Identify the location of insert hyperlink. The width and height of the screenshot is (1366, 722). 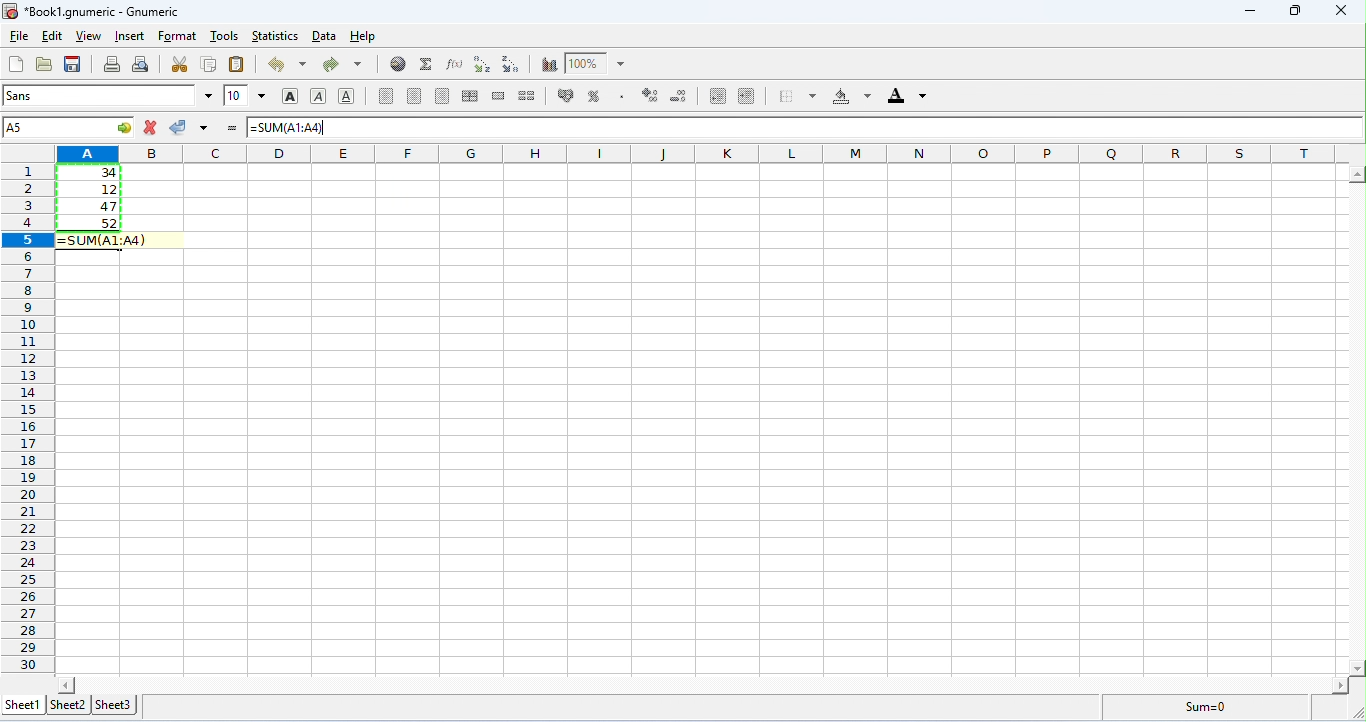
(399, 63).